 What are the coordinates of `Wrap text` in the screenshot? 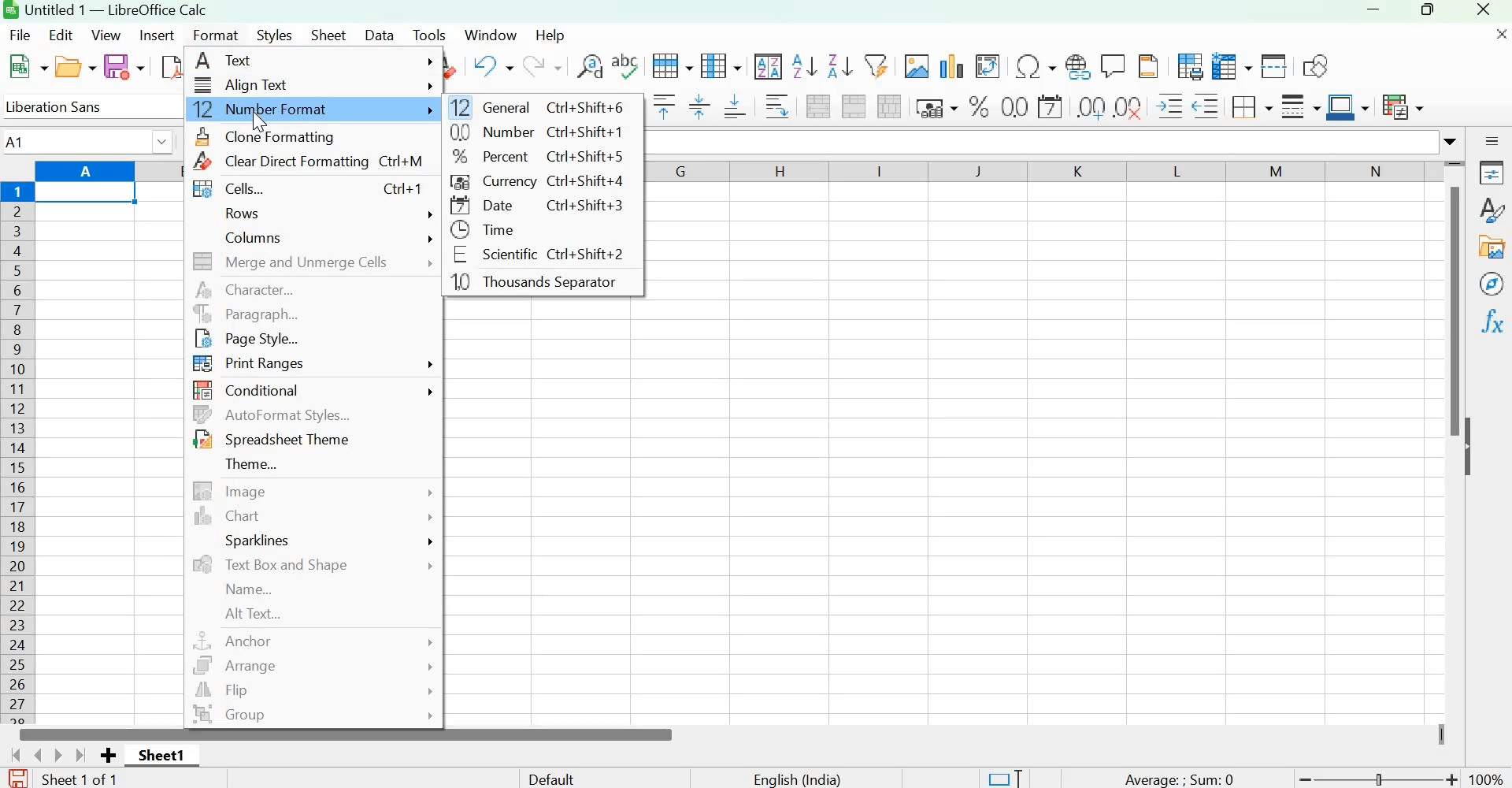 It's located at (776, 107).